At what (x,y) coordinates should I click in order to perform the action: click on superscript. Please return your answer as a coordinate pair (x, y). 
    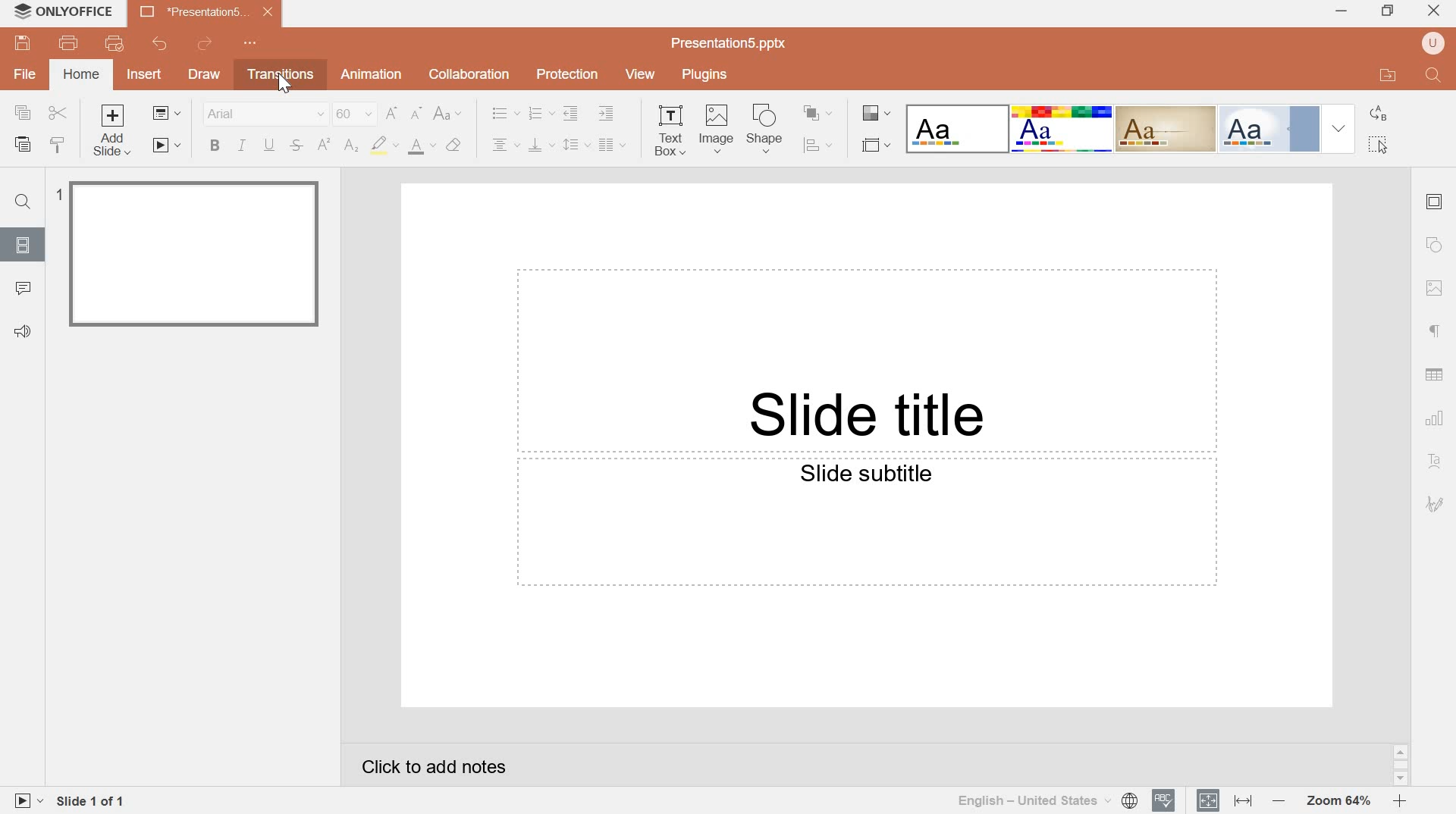
    Looking at the image, I should click on (326, 146).